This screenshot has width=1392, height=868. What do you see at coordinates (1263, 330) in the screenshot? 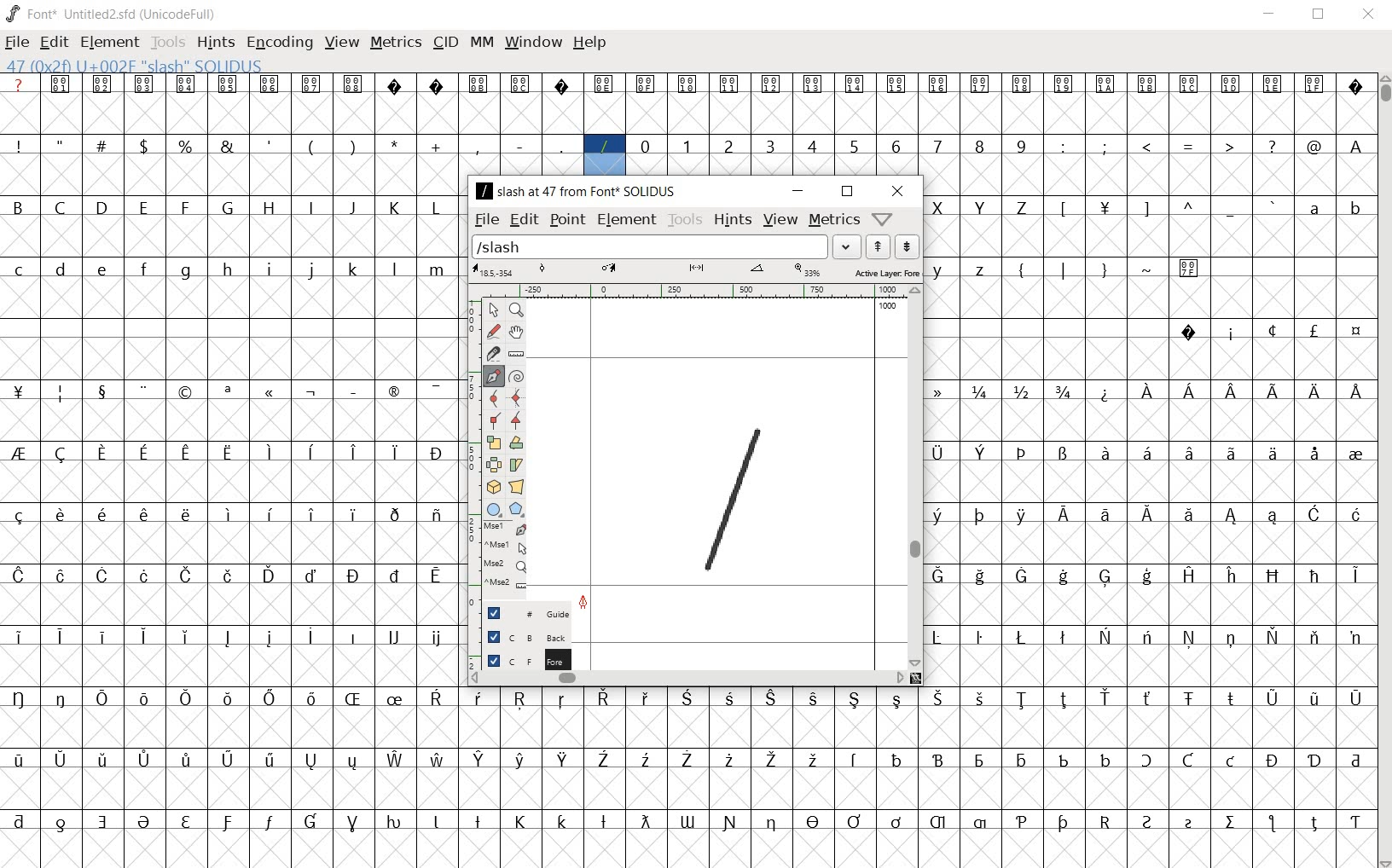
I see `special symbols` at bounding box center [1263, 330].